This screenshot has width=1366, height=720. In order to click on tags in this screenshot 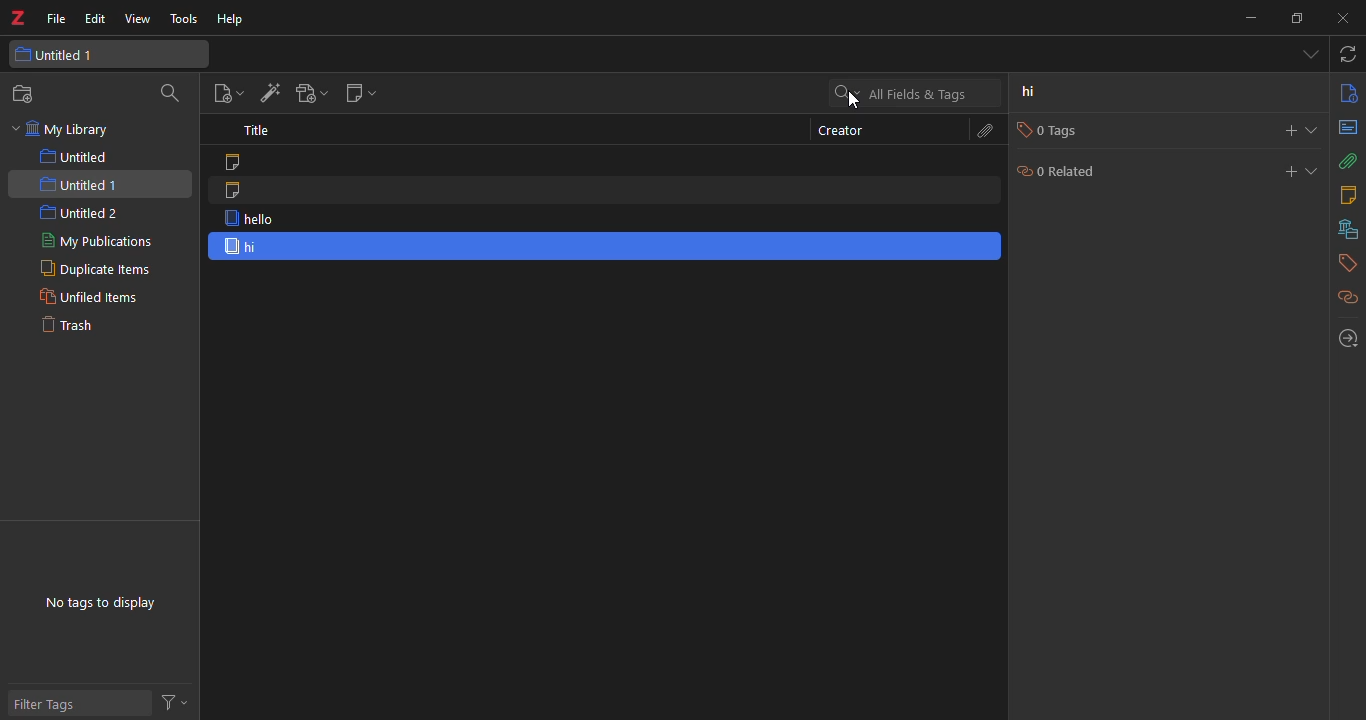, I will do `click(1344, 264)`.